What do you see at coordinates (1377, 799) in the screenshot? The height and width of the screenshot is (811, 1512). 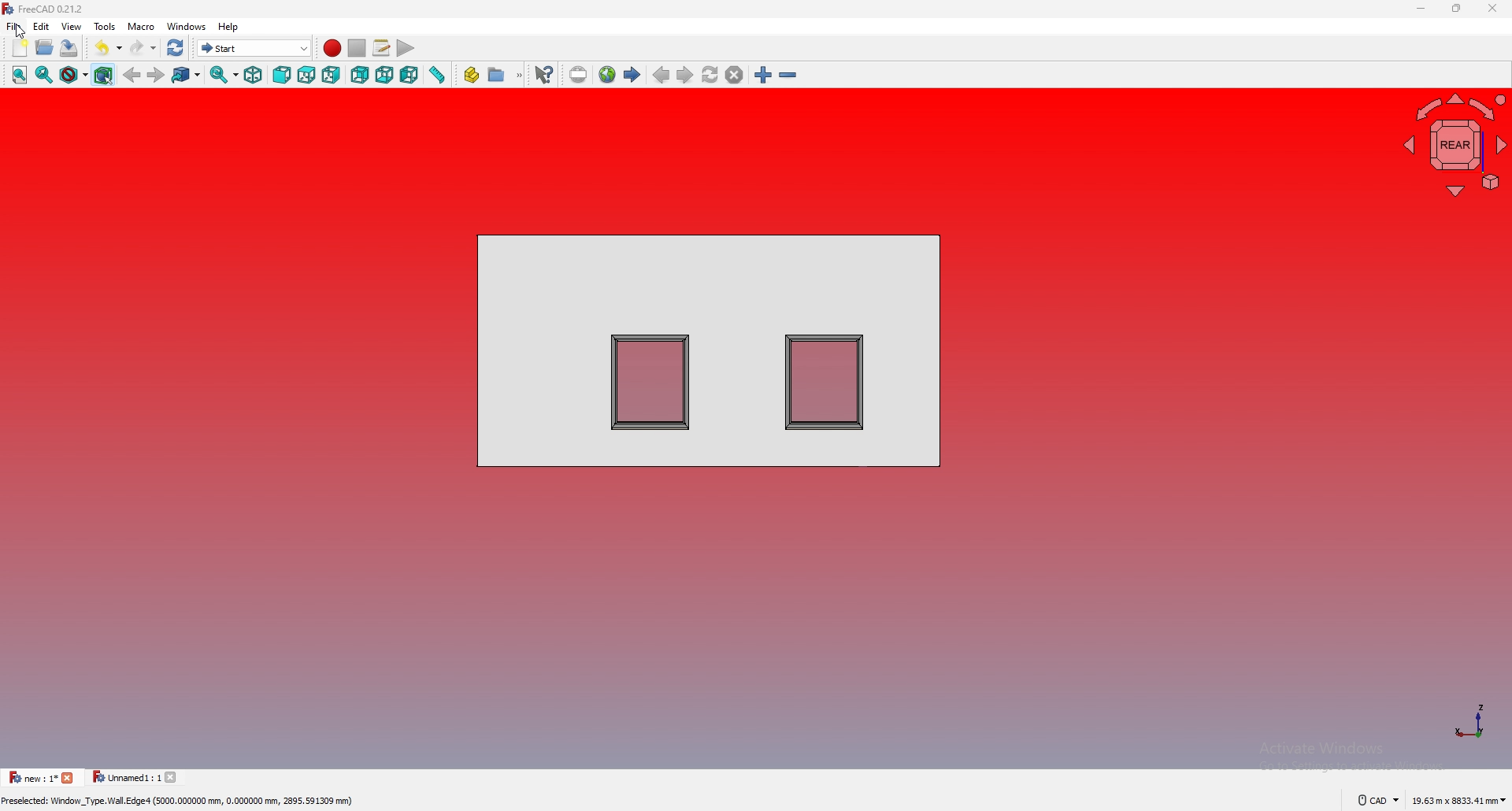 I see `cad navigation` at bounding box center [1377, 799].